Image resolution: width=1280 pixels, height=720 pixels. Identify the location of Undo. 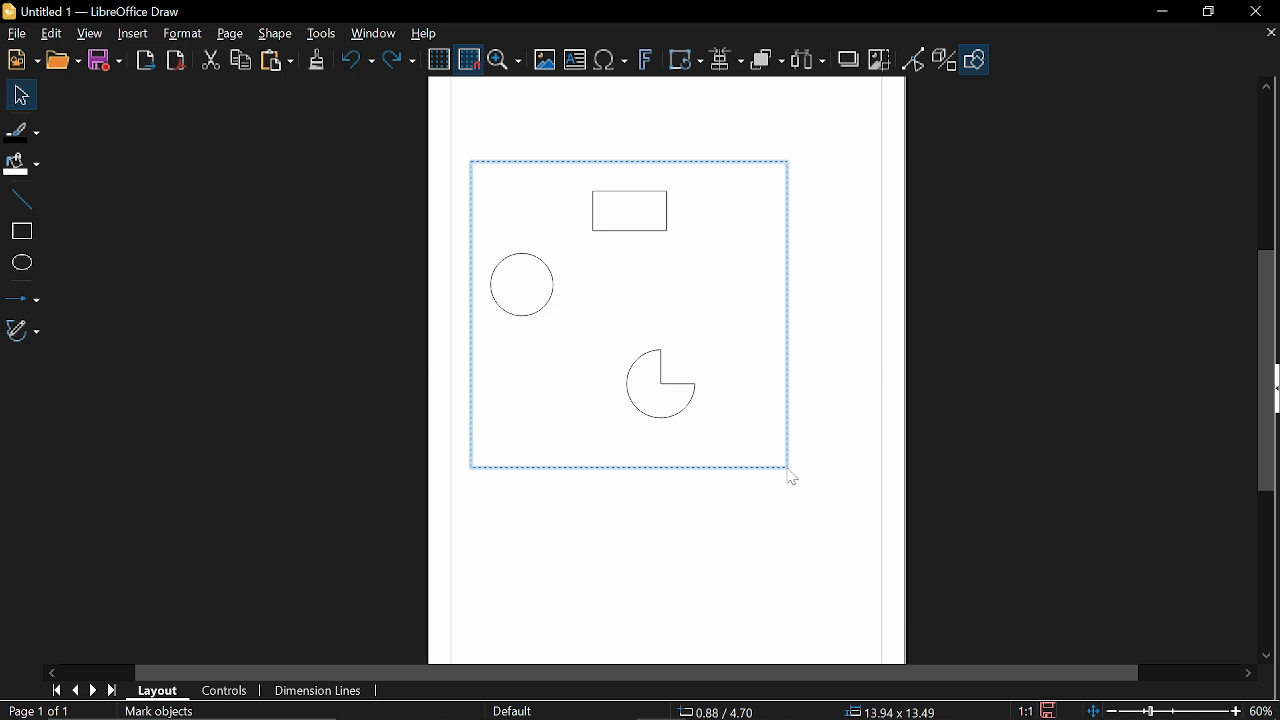
(356, 62).